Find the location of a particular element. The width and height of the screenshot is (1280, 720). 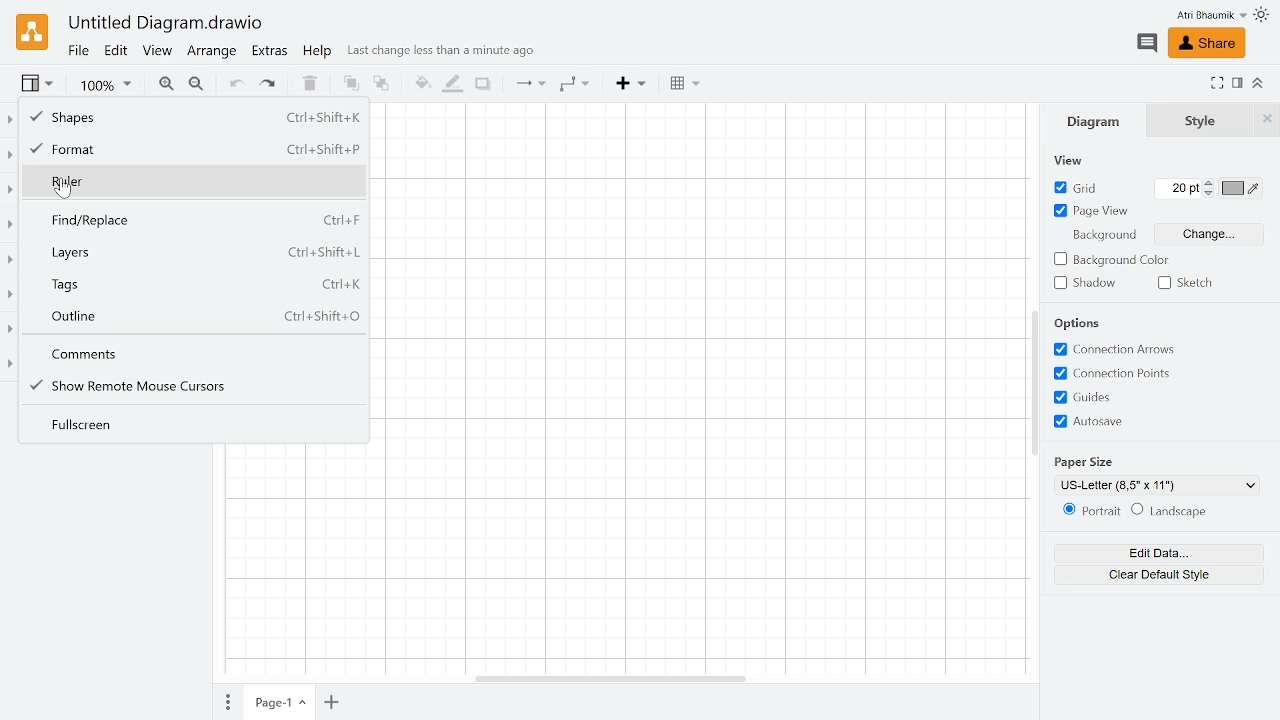

options is located at coordinates (1087, 322).